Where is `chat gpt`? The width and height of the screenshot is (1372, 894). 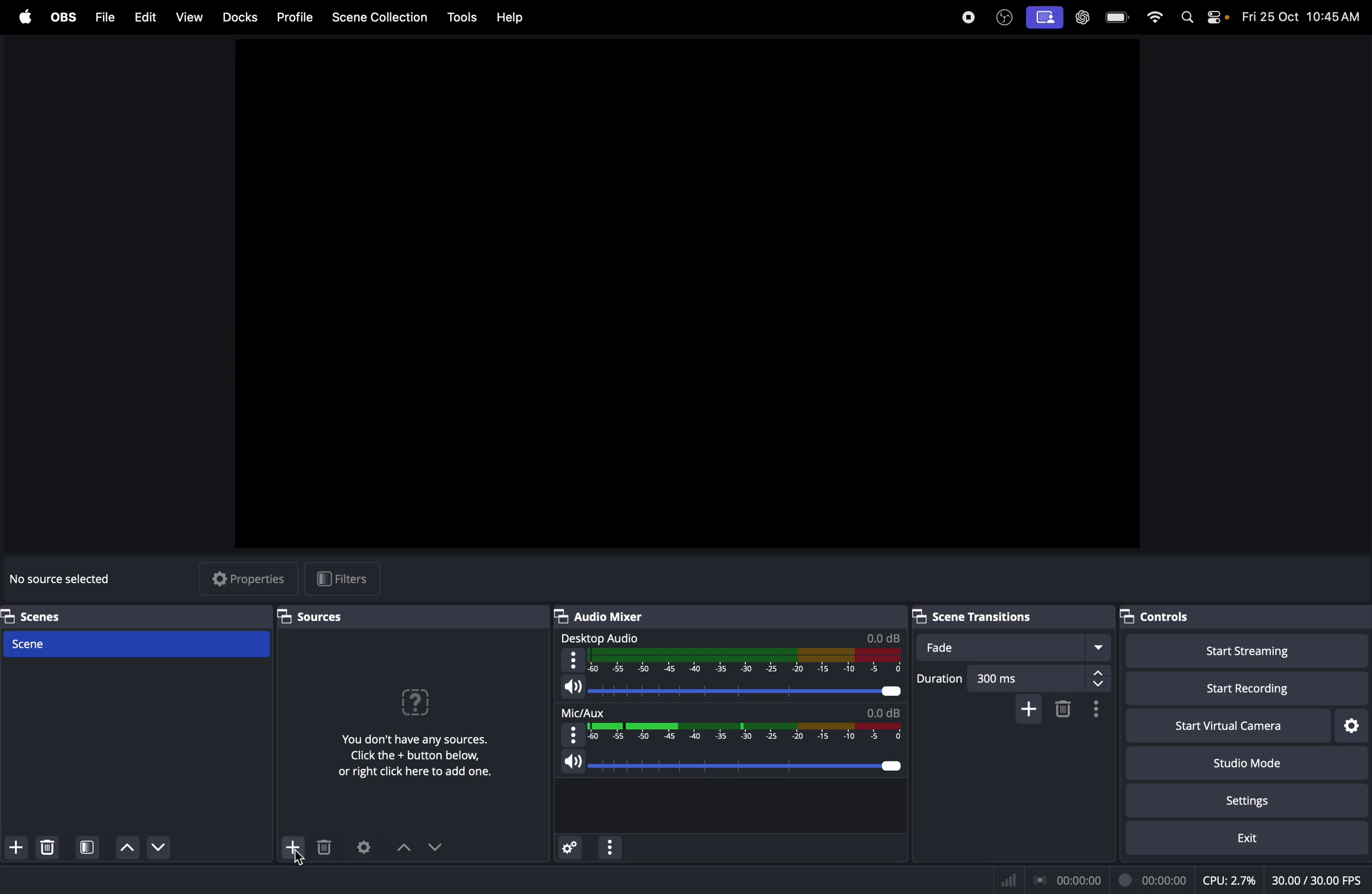
chat gpt is located at coordinates (1081, 18).